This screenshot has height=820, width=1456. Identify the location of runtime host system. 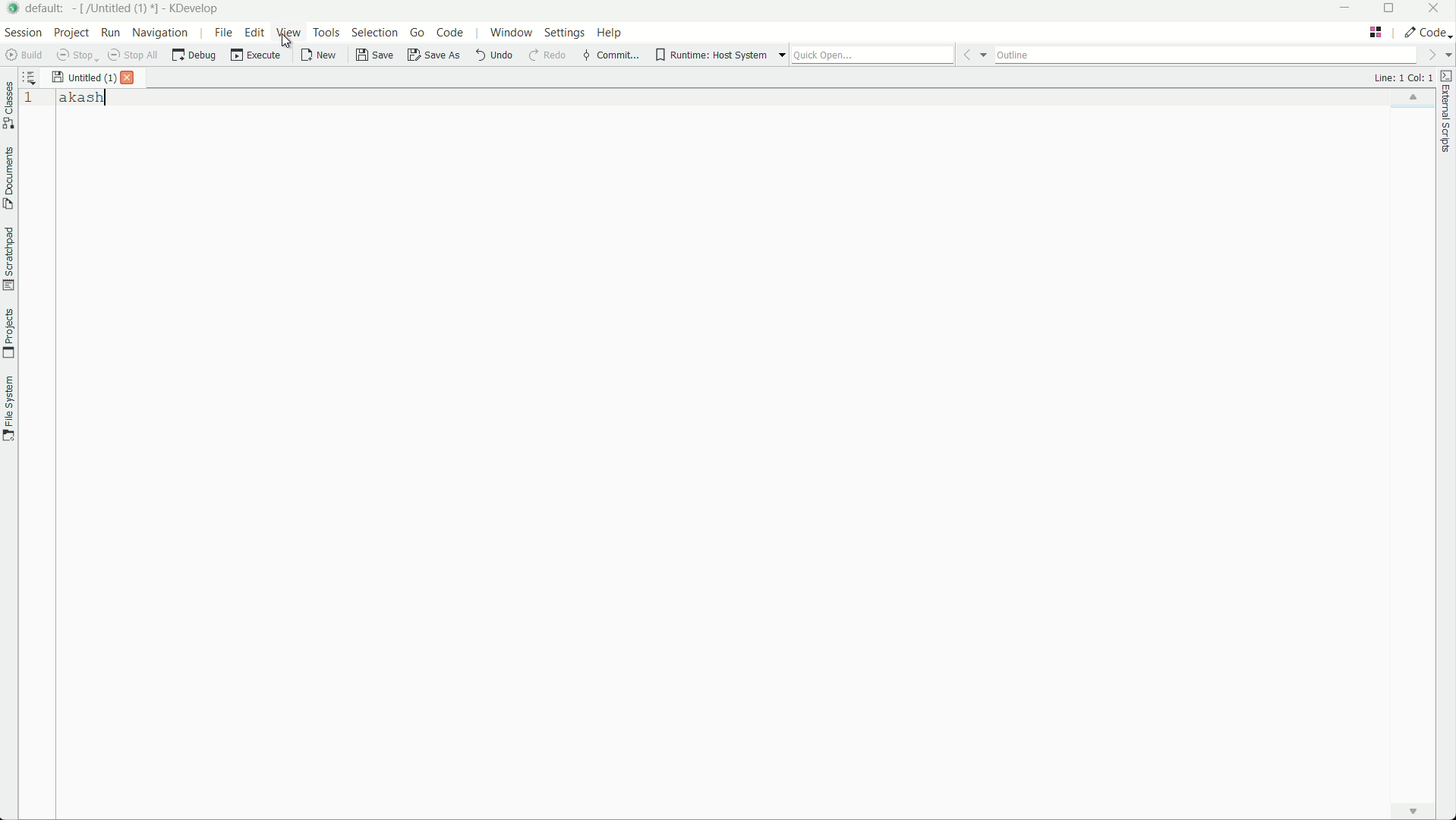
(711, 57).